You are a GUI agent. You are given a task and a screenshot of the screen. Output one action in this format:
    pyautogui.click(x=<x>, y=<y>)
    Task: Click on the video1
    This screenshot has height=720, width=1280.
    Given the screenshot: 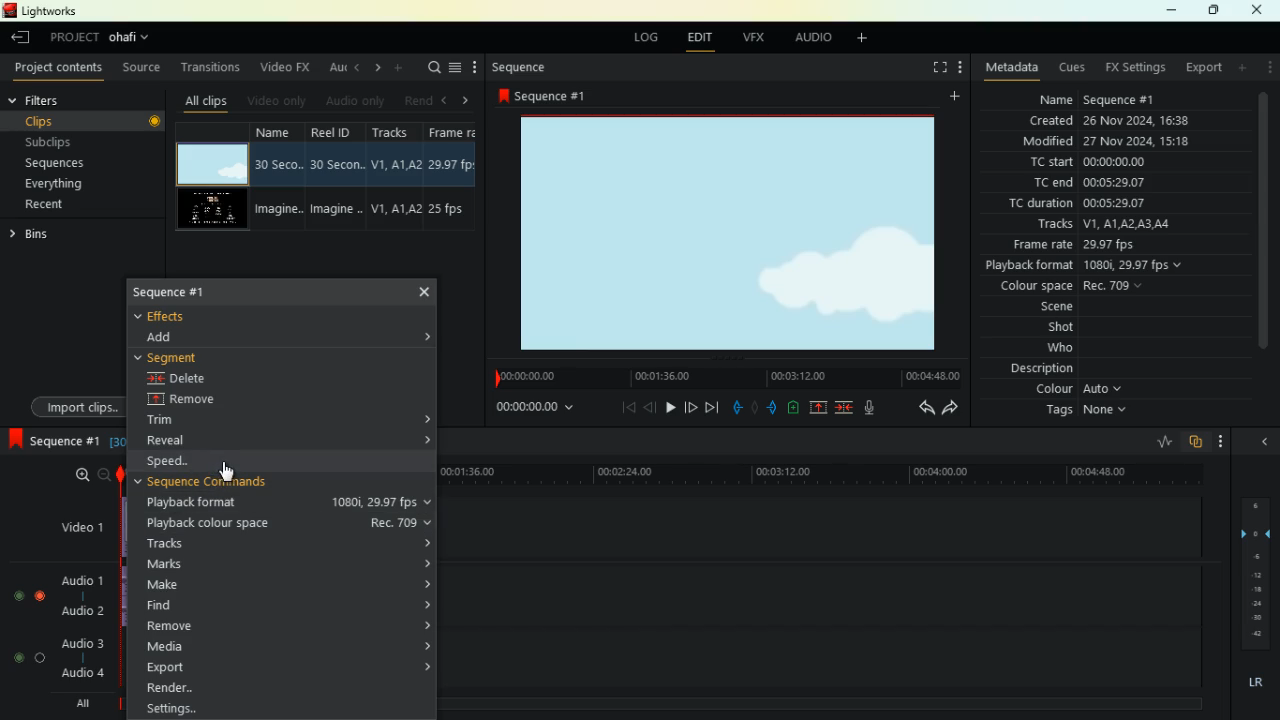 What is the action you would take?
    pyautogui.click(x=78, y=526)
    